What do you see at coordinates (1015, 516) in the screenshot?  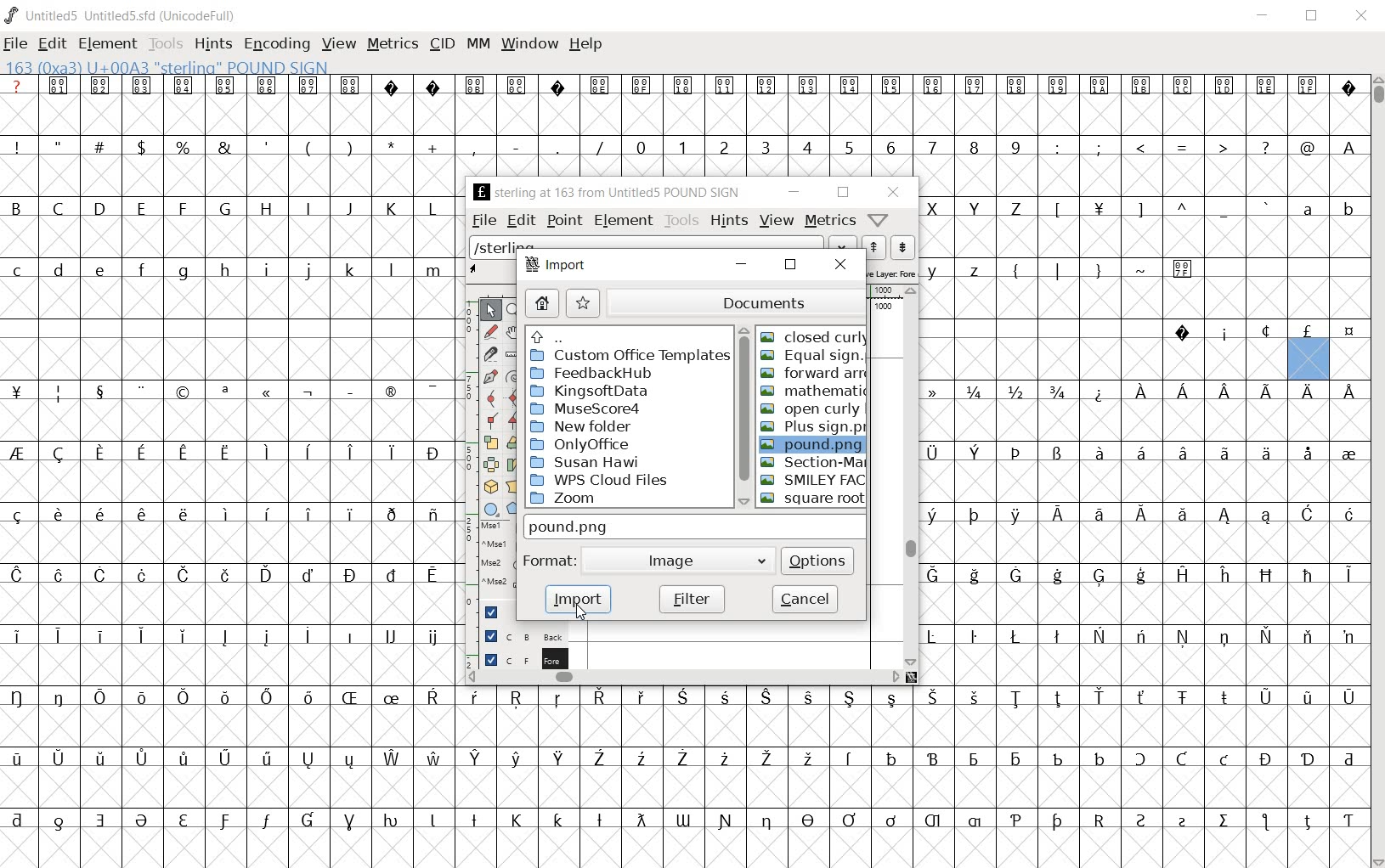 I see `Symbol` at bounding box center [1015, 516].